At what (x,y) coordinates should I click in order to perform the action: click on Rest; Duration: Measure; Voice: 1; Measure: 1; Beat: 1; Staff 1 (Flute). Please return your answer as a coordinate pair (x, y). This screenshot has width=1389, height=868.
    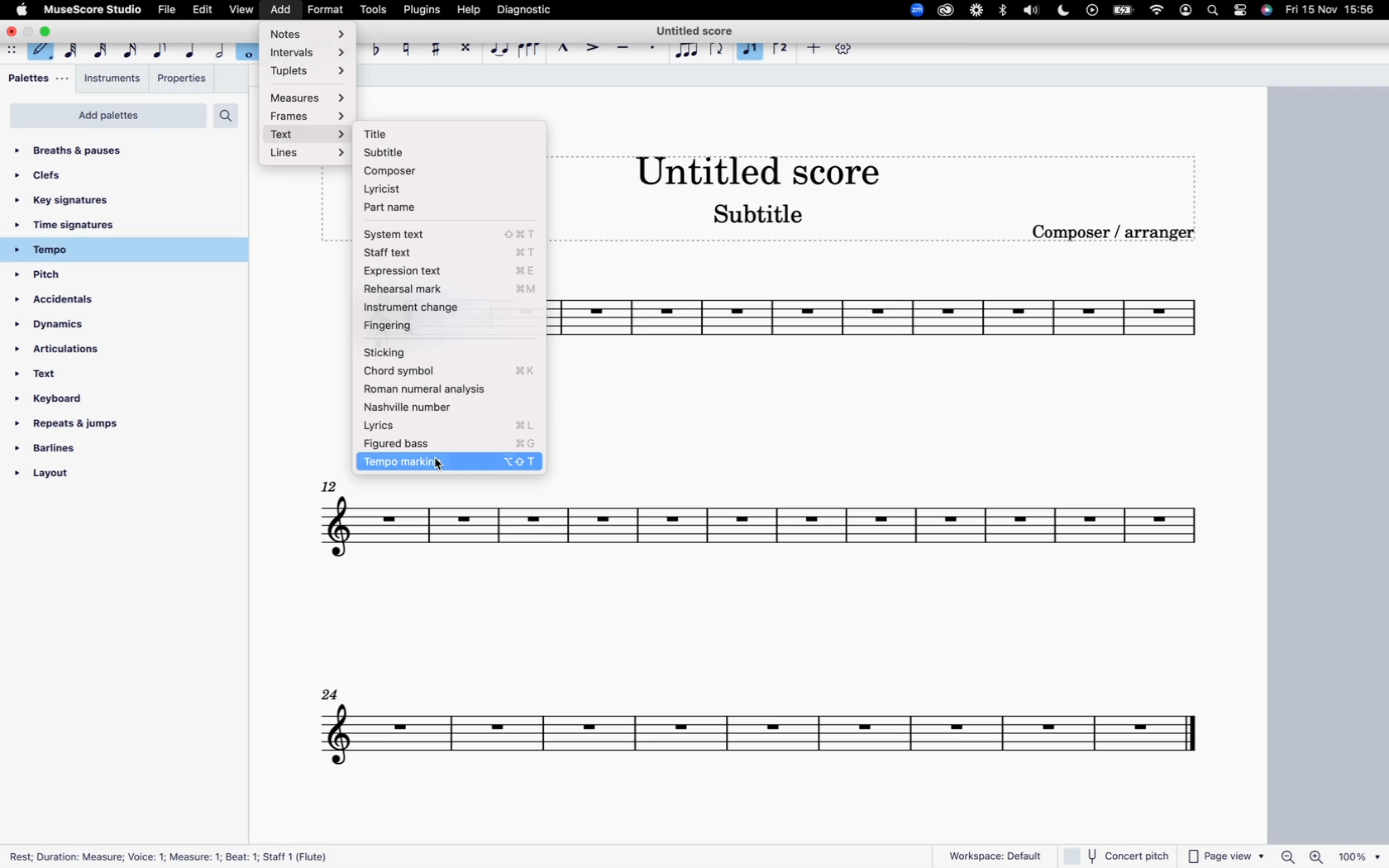
    Looking at the image, I should click on (173, 853).